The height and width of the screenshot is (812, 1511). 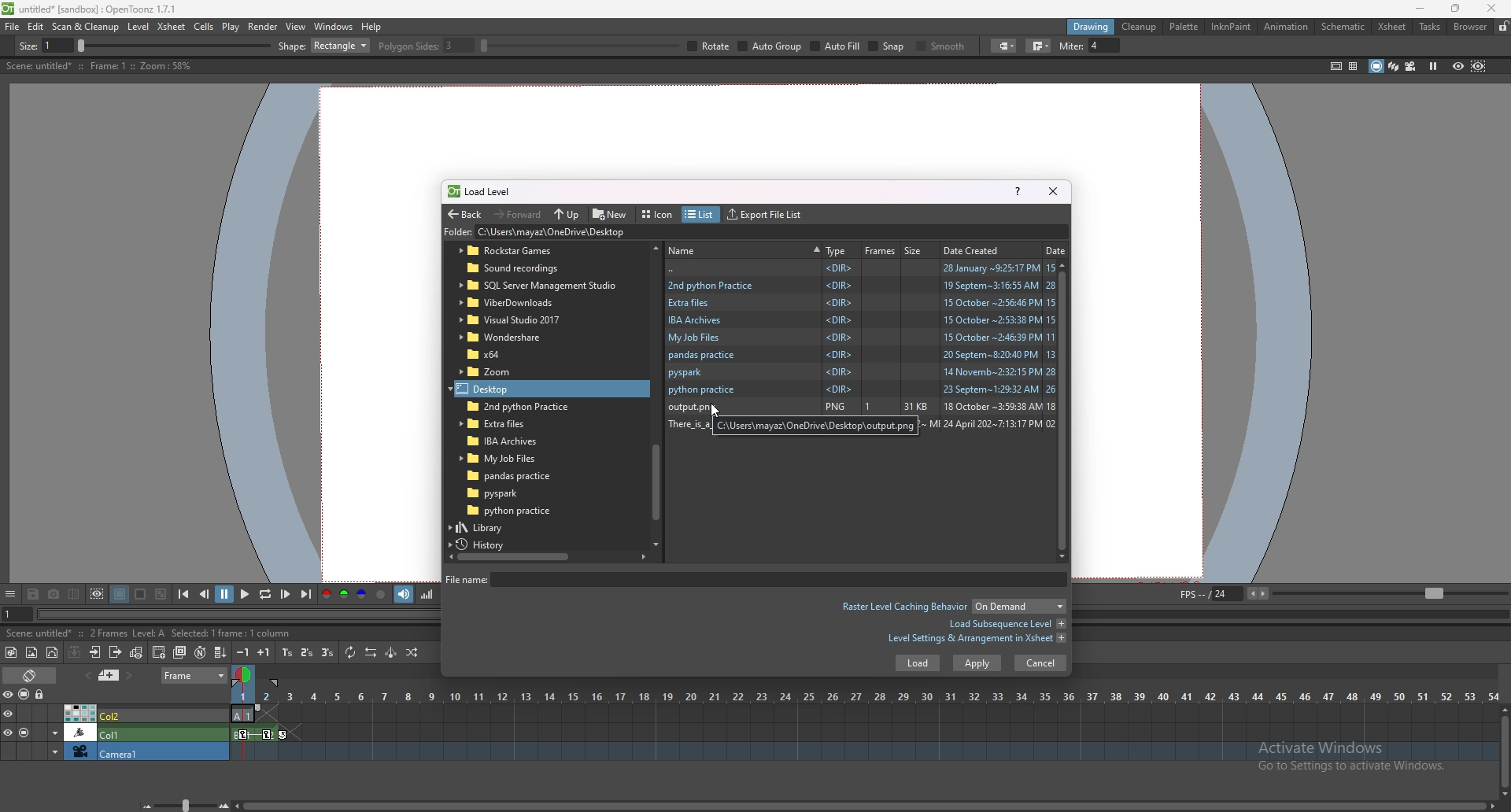 I want to click on names, so click(x=744, y=249).